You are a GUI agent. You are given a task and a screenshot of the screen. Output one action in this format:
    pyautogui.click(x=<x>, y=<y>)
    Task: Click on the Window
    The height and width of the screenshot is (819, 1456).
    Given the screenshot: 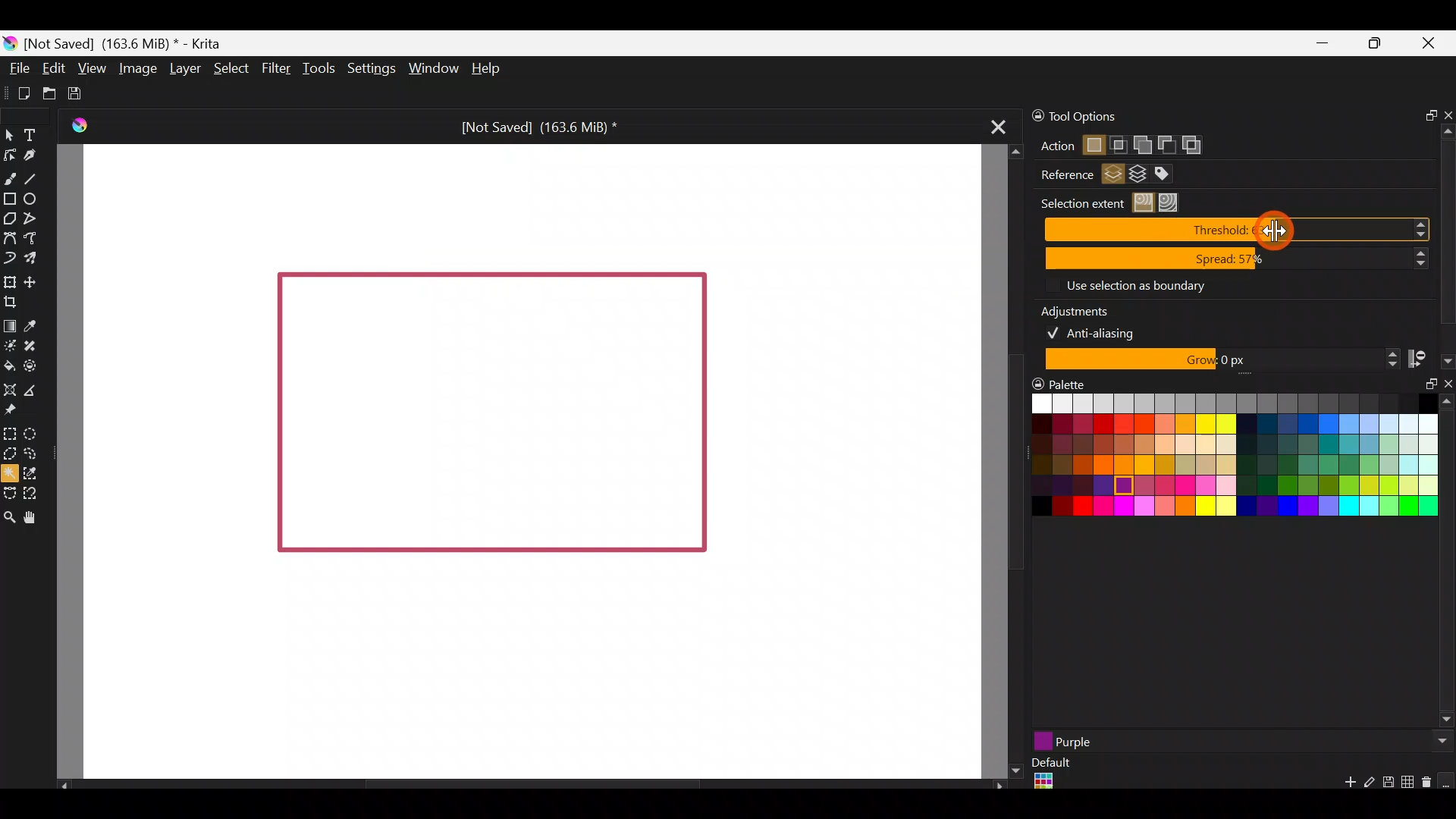 What is the action you would take?
    pyautogui.click(x=431, y=67)
    